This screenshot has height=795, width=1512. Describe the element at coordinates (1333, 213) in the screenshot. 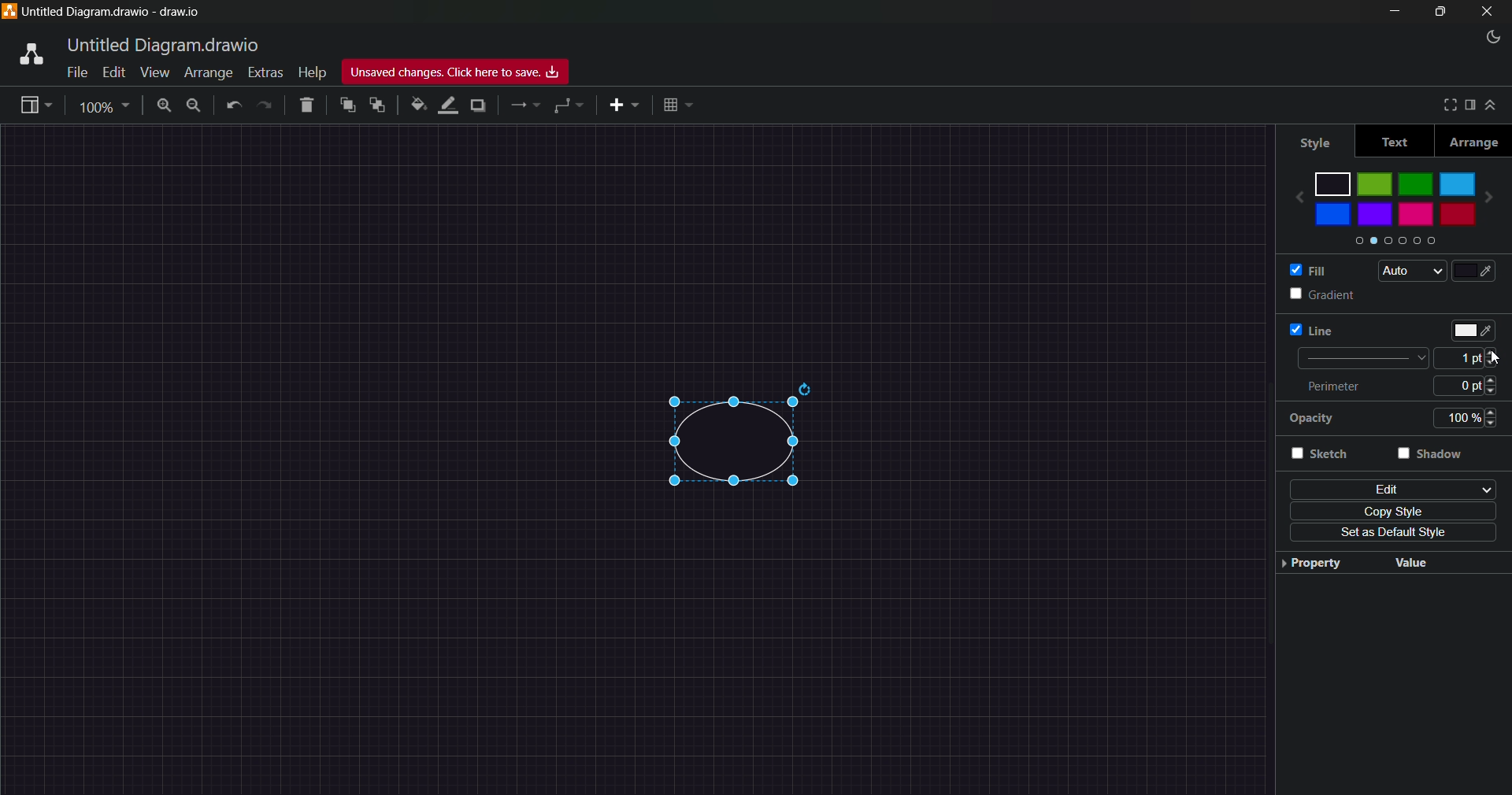

I see `navy blue` at that location.